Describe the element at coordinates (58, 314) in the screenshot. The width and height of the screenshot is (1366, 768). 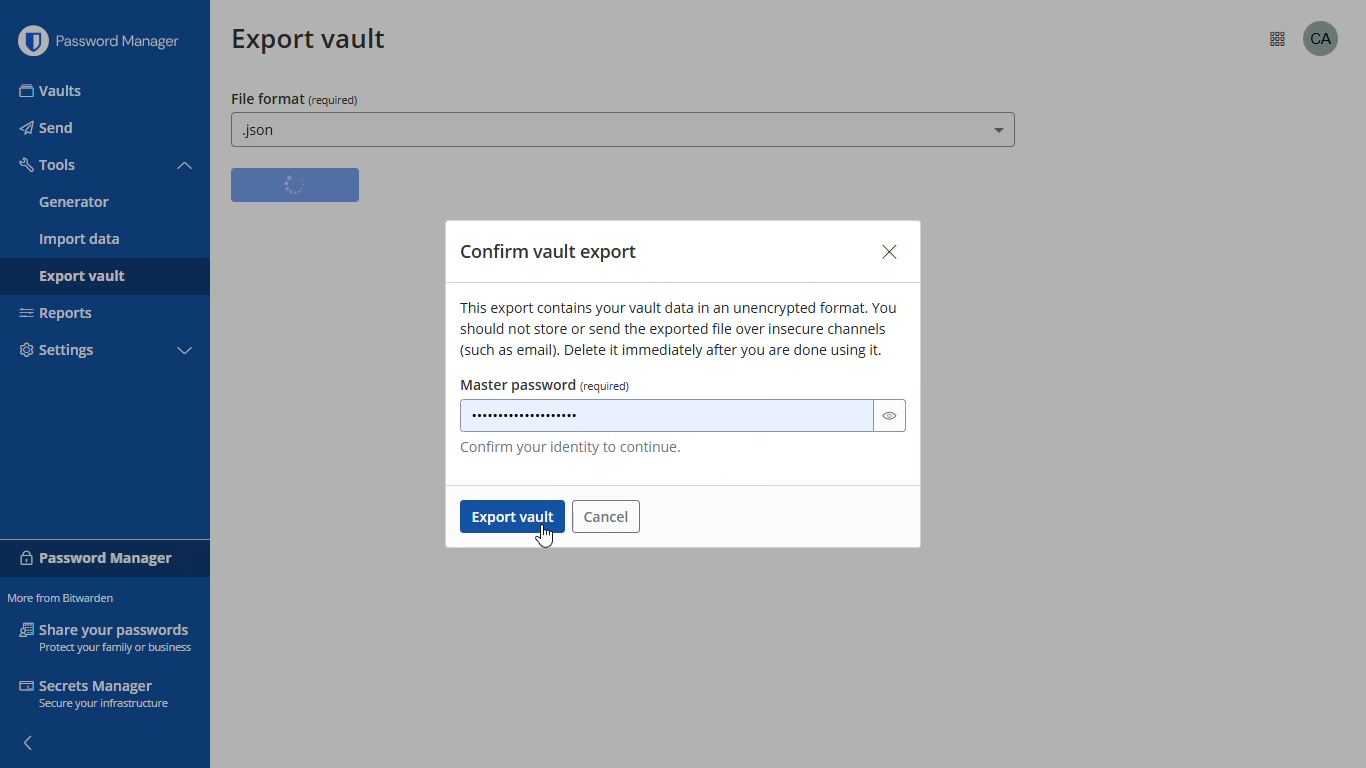
I see `reports` at that location.